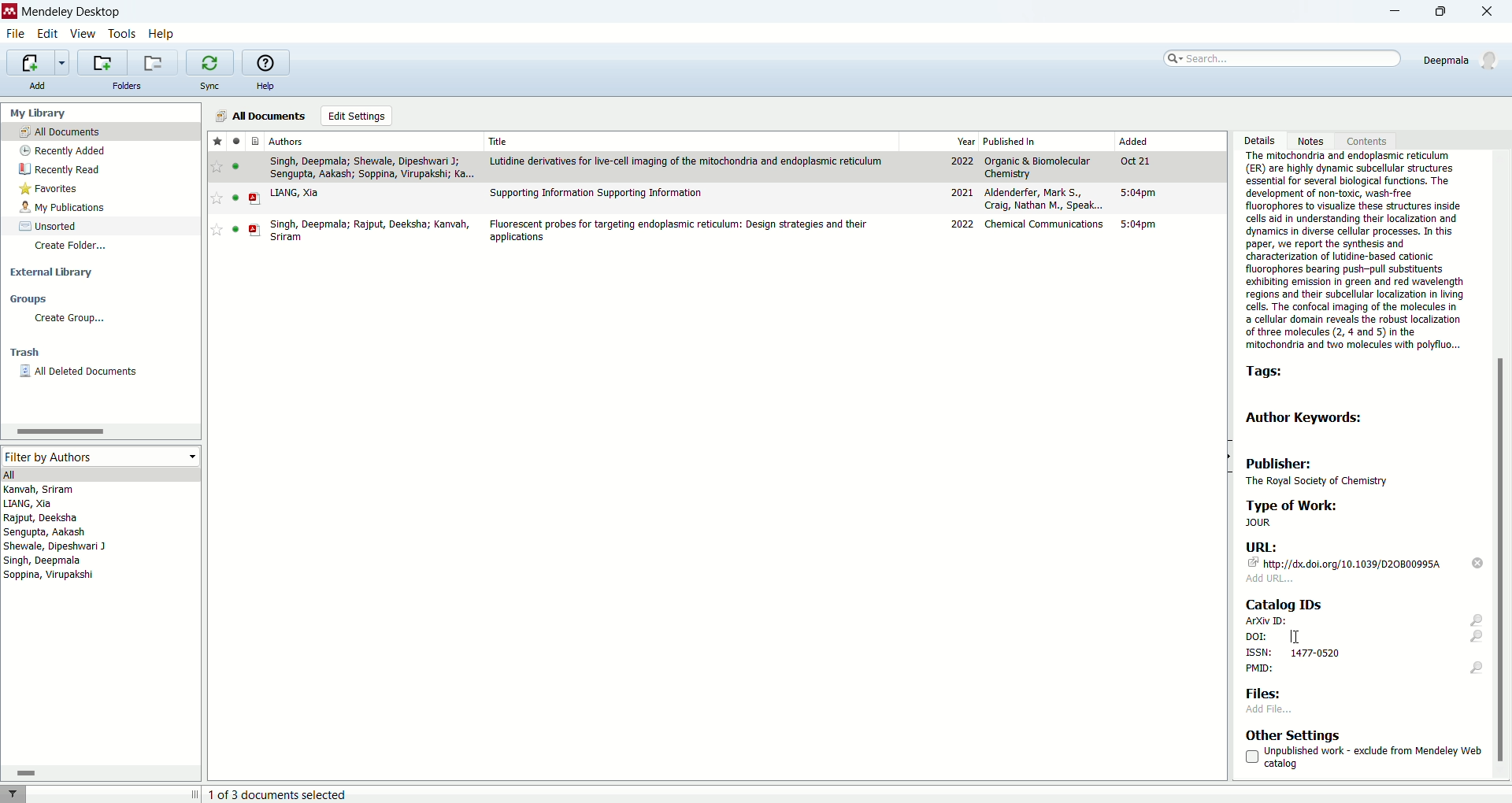 The height and width of the screenshot is (803, 1512). I want to click on help, so click(265, 87).